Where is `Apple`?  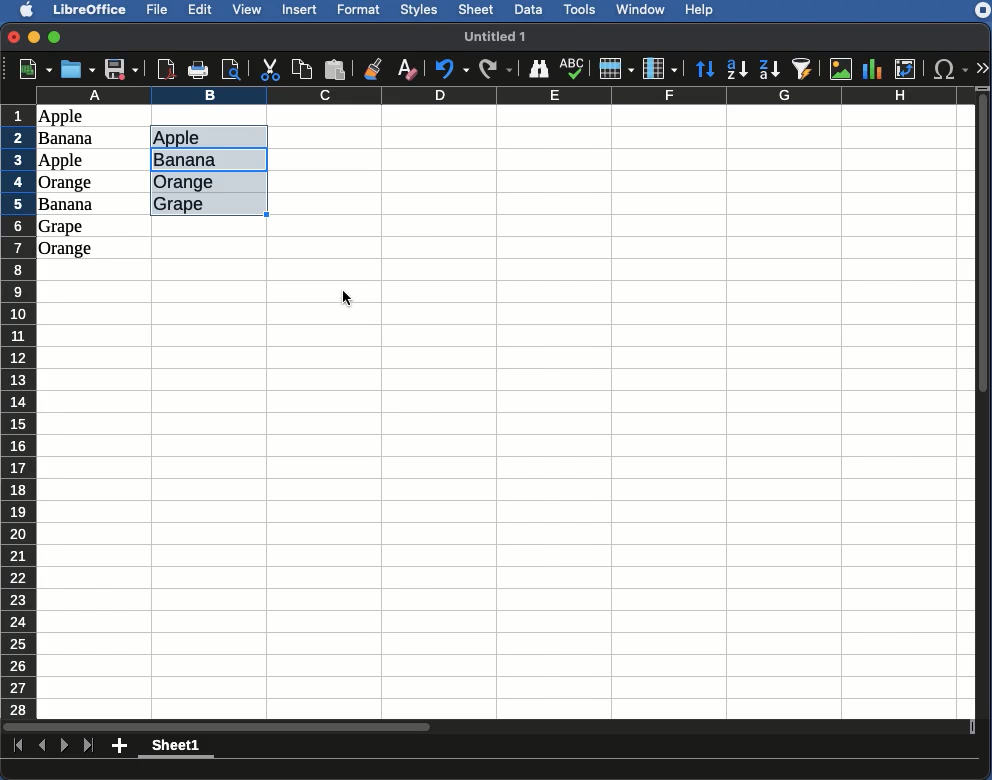
Apple is located at coordinates (61, 117).